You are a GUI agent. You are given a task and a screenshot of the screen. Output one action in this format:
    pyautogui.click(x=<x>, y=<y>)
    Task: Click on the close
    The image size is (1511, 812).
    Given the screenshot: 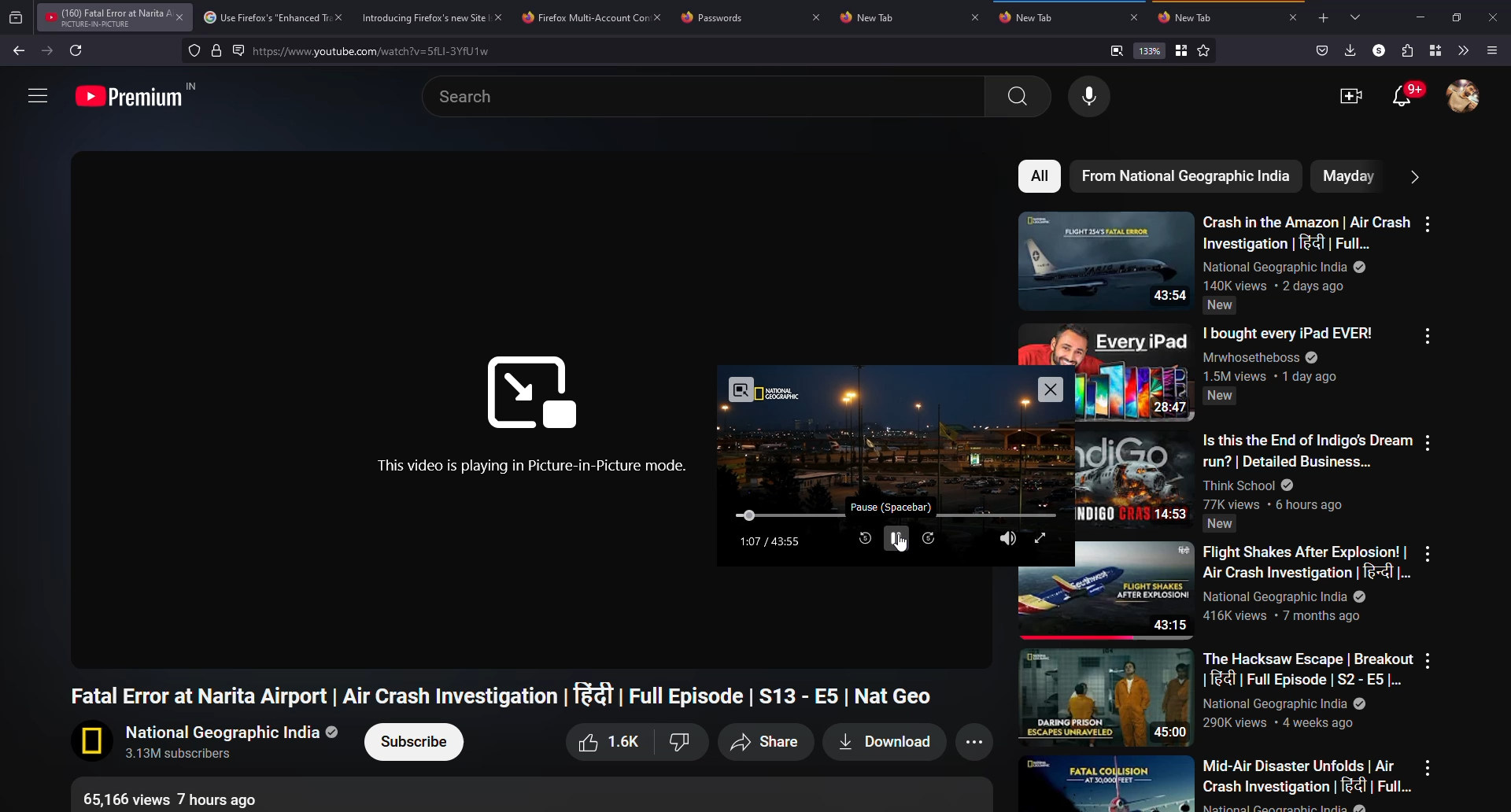 What is the action you would take?
    pyautogui.click(x=1049, y=389)
    